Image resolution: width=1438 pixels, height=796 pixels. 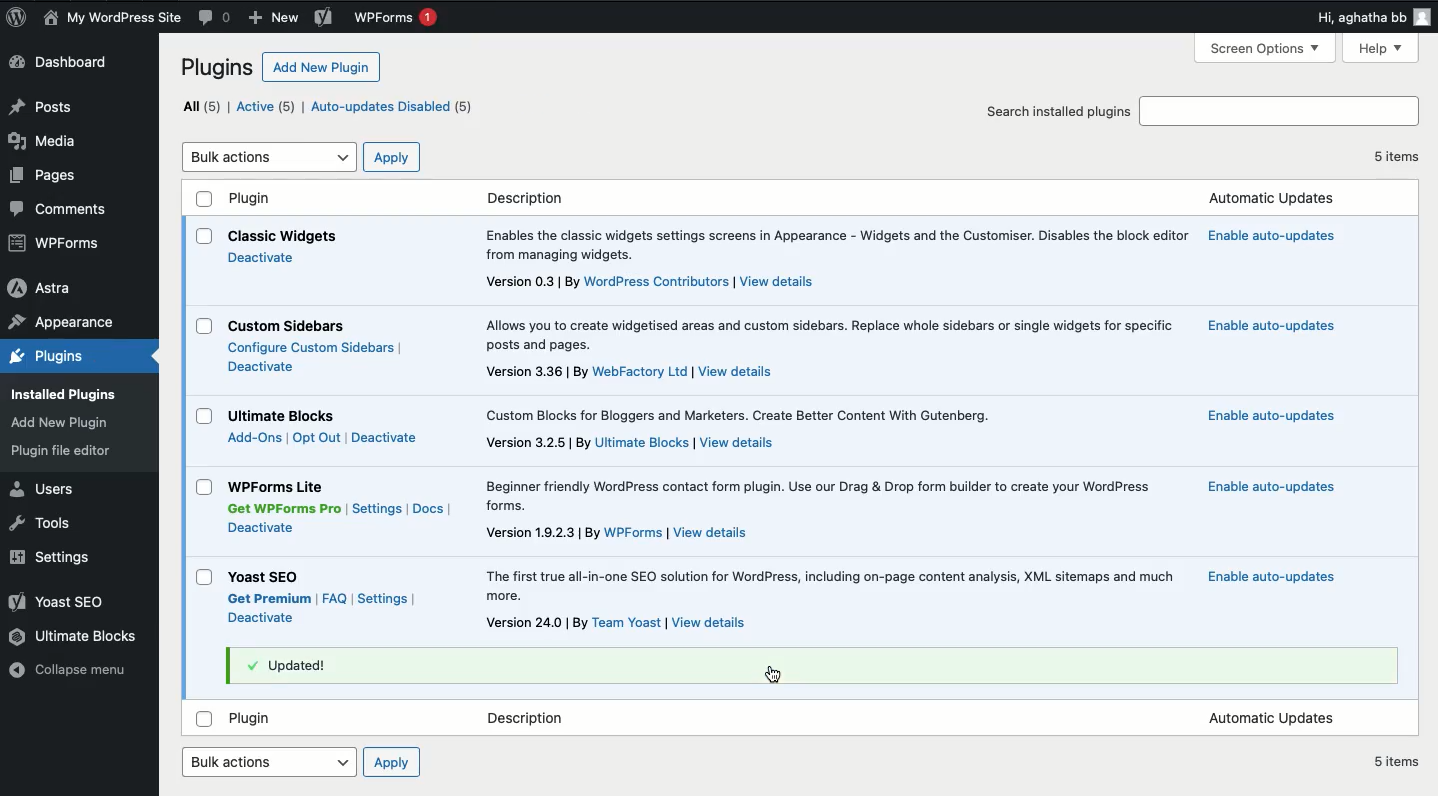 What do you see at coordinates (1269, 47) in the screenshot?
I see `Screen options` at bounding box center [1269, 47].